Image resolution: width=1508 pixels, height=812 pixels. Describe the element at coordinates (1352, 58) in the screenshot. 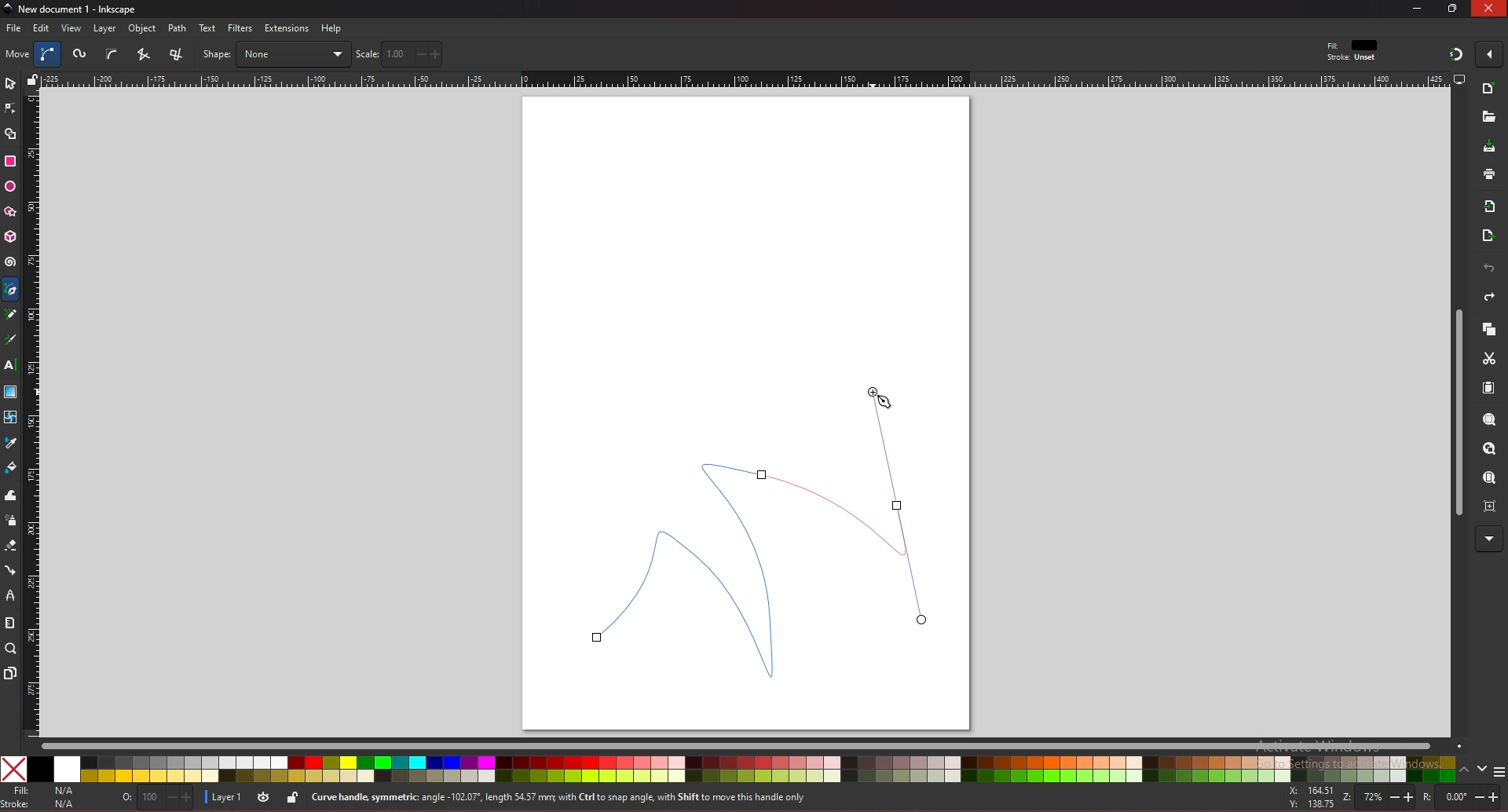

I see `stroke` at that location.